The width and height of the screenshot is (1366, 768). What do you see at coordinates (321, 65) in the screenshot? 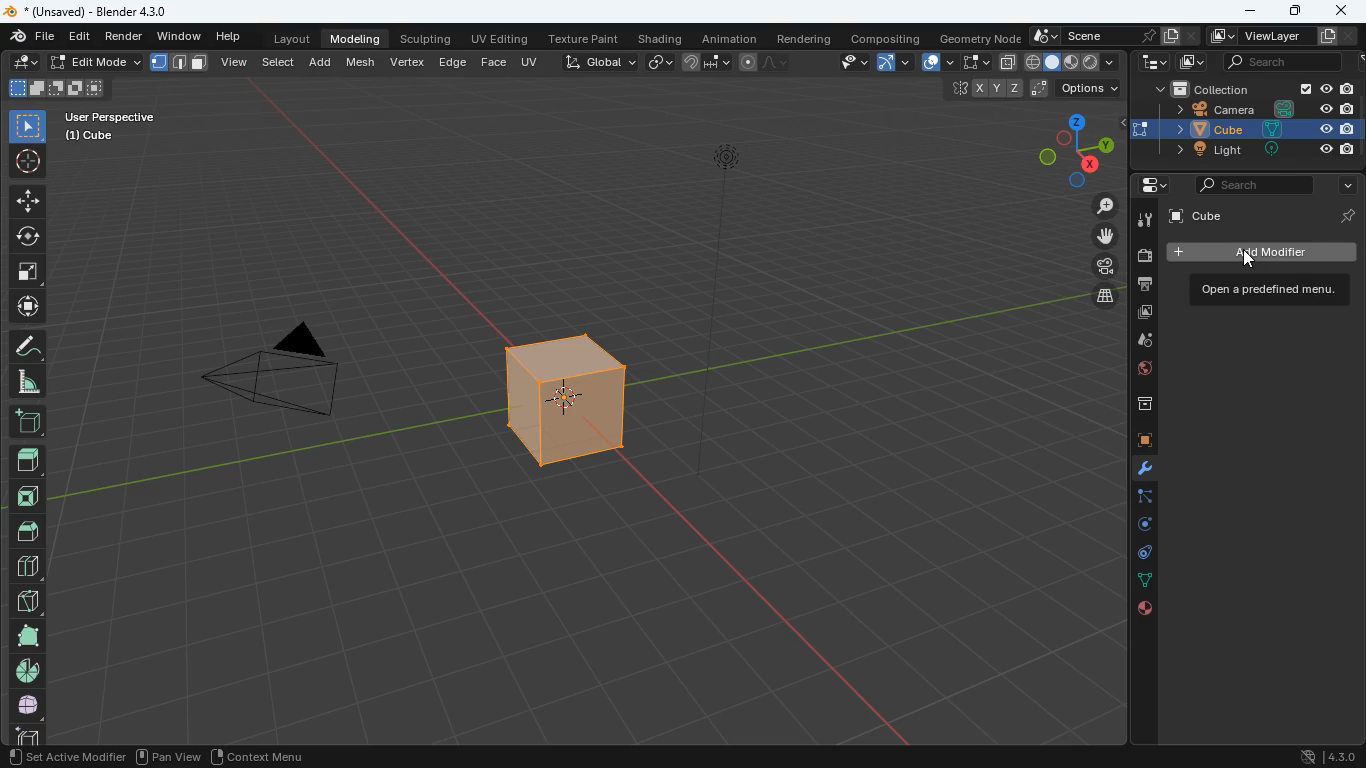
I see `add` at bounding box center [321, 65].